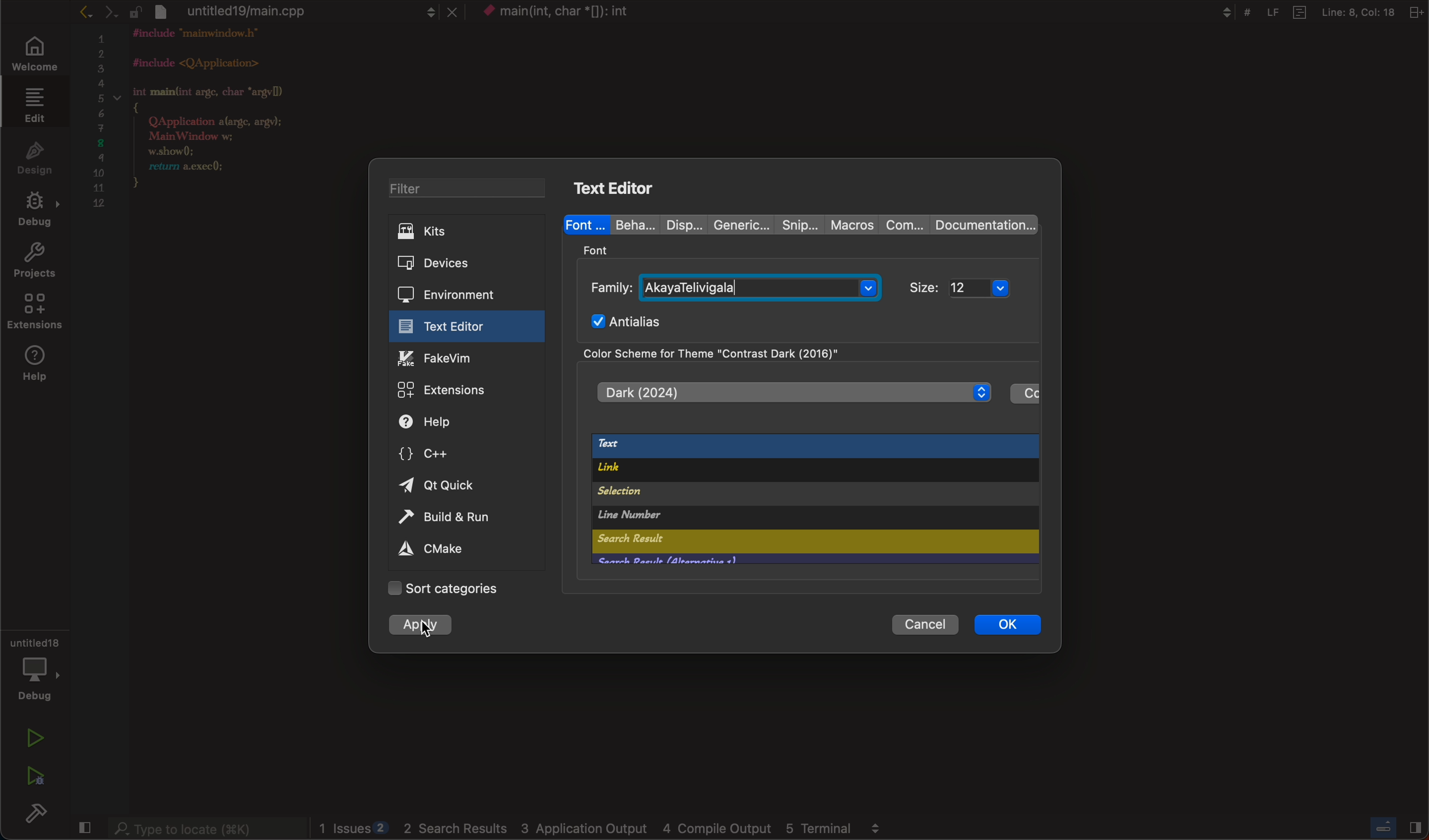 The height and width of the screenshot is (840, 1429). Describe the element at coordinates (734, 286) in the screenshot. I see `family` at that location.